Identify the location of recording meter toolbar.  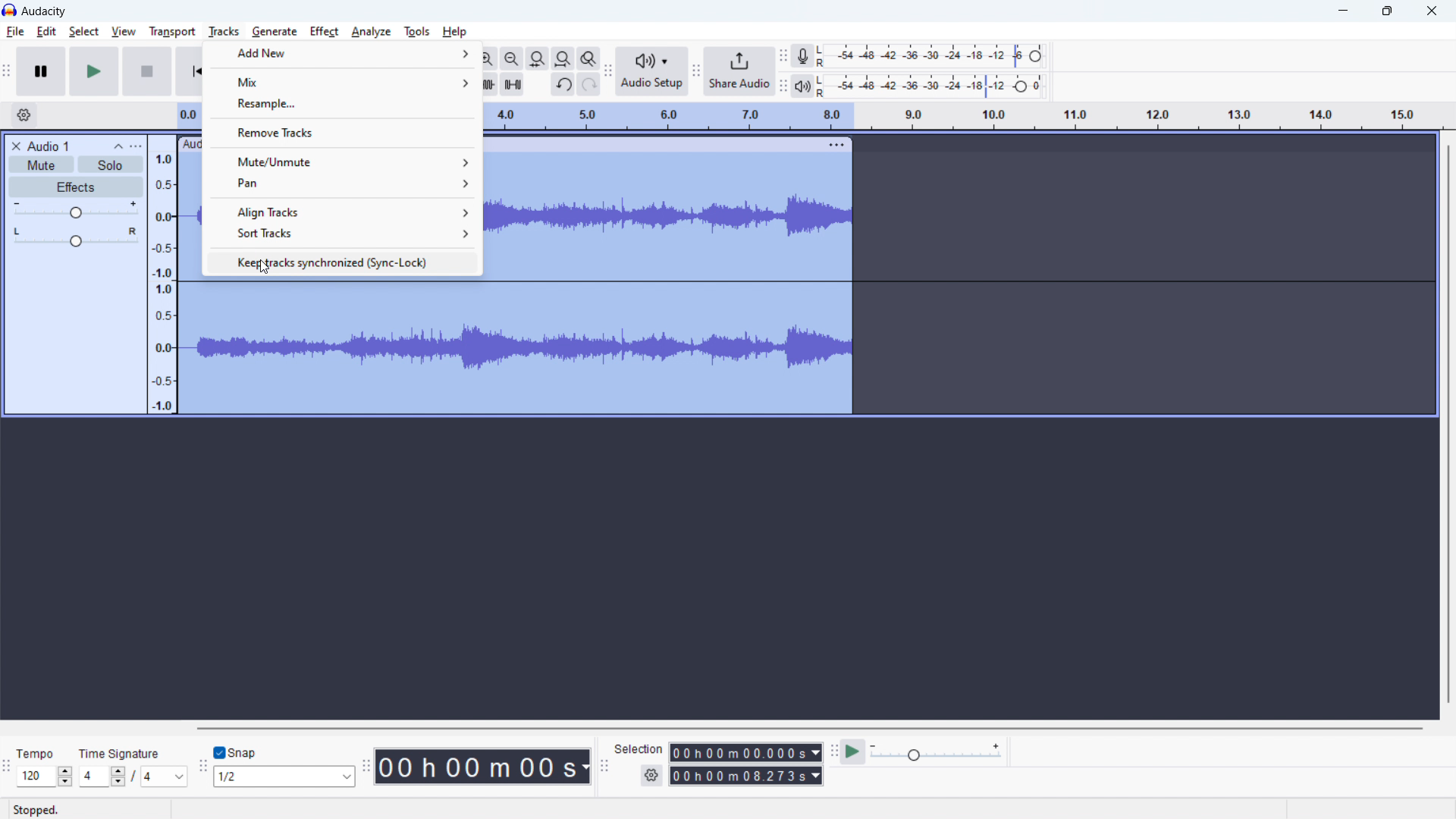
(783, 56).